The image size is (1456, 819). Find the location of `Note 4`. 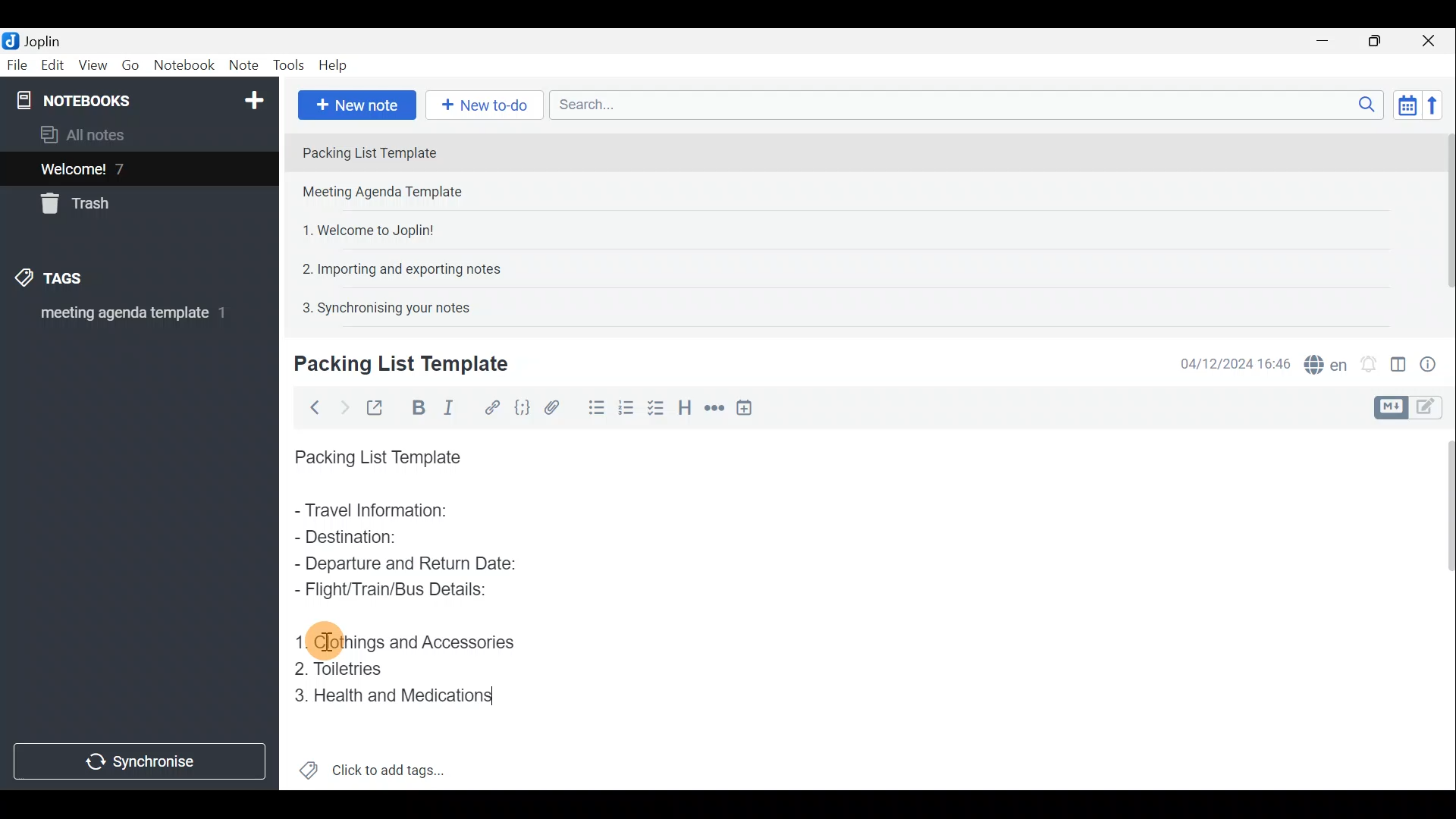

Note 4 is located at coordinates (394, 266).